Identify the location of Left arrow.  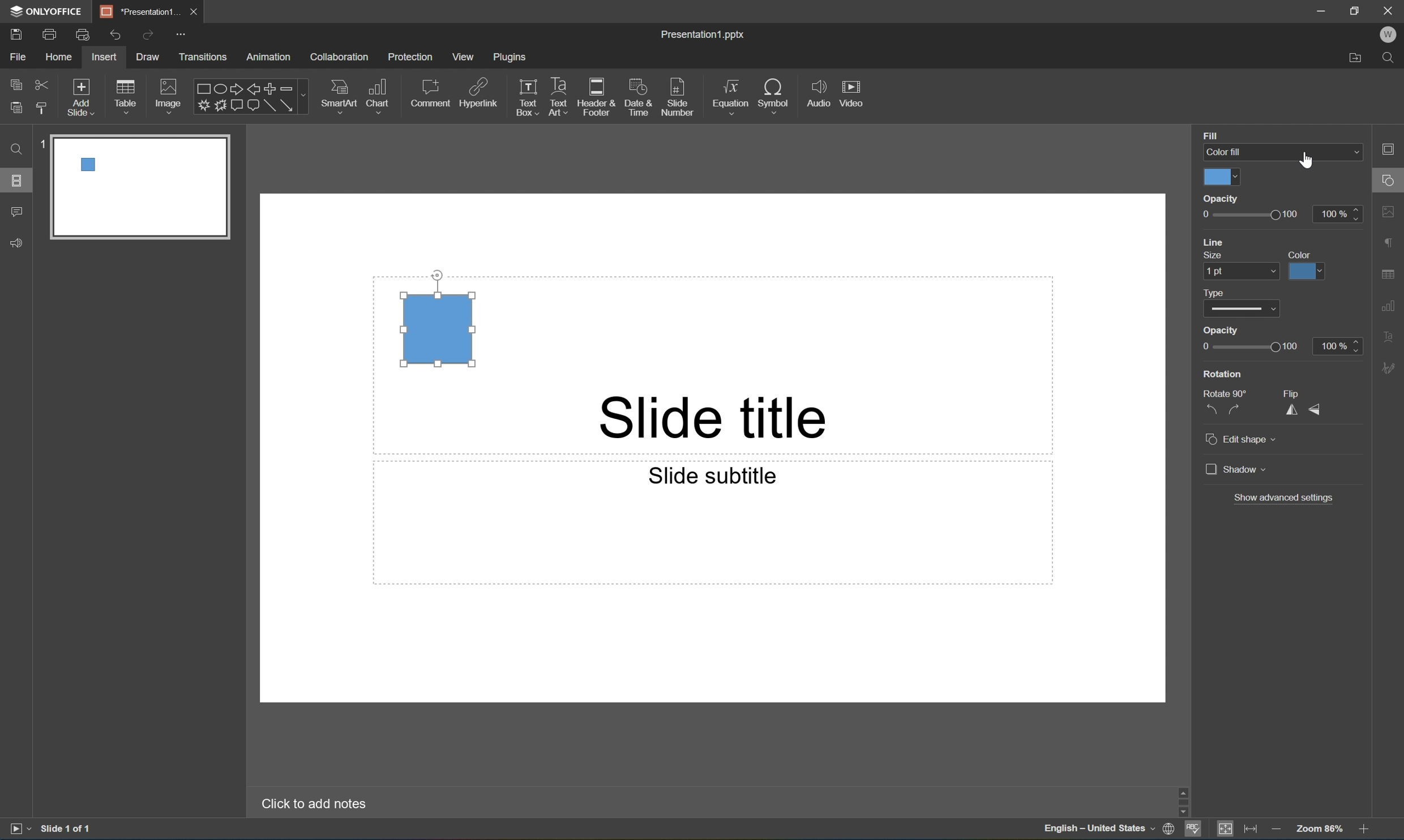
(254, 90).